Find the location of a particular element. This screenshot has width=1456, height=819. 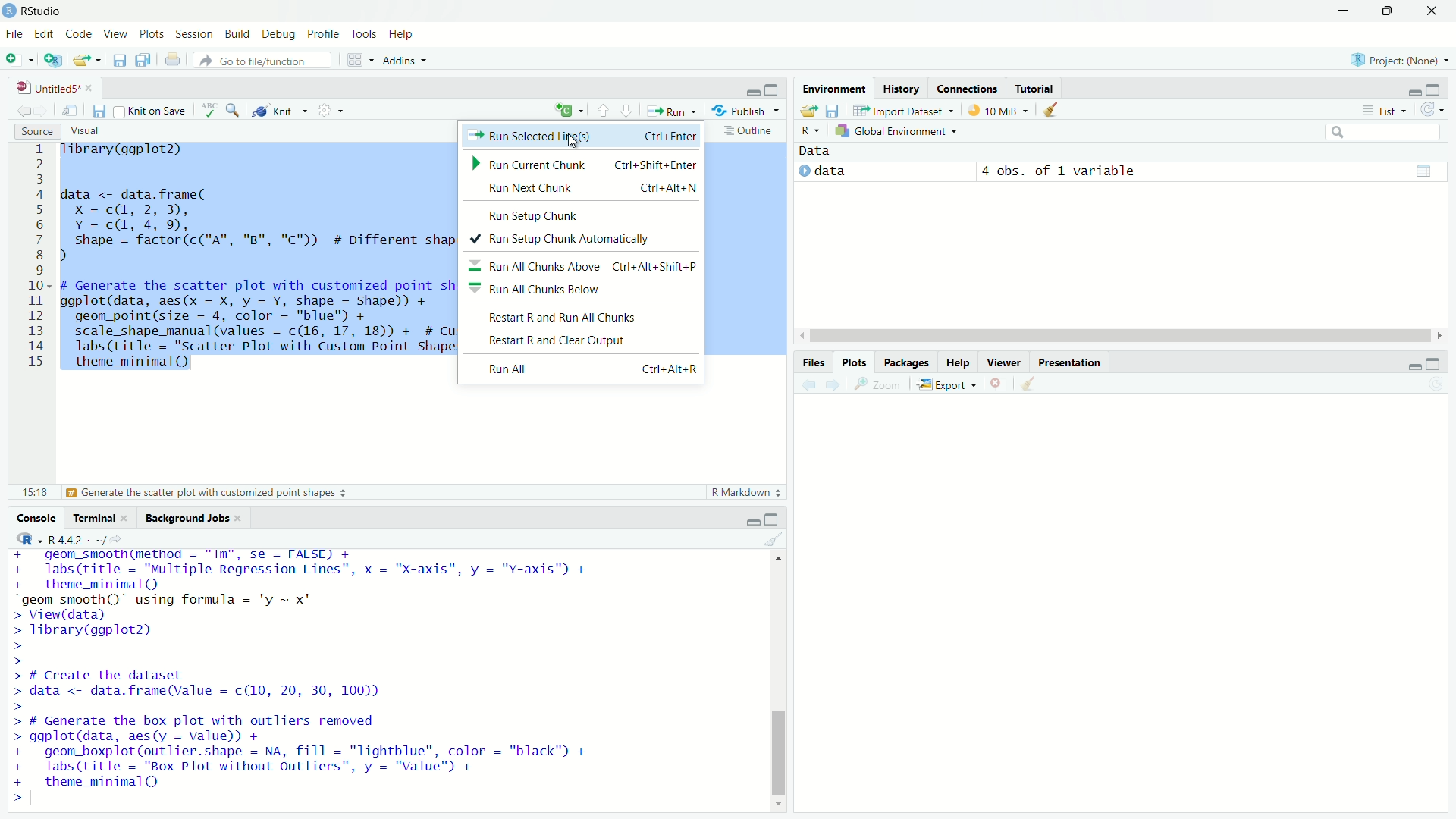

Restart R and Run All Chunks is located at coordinates (582, 316).